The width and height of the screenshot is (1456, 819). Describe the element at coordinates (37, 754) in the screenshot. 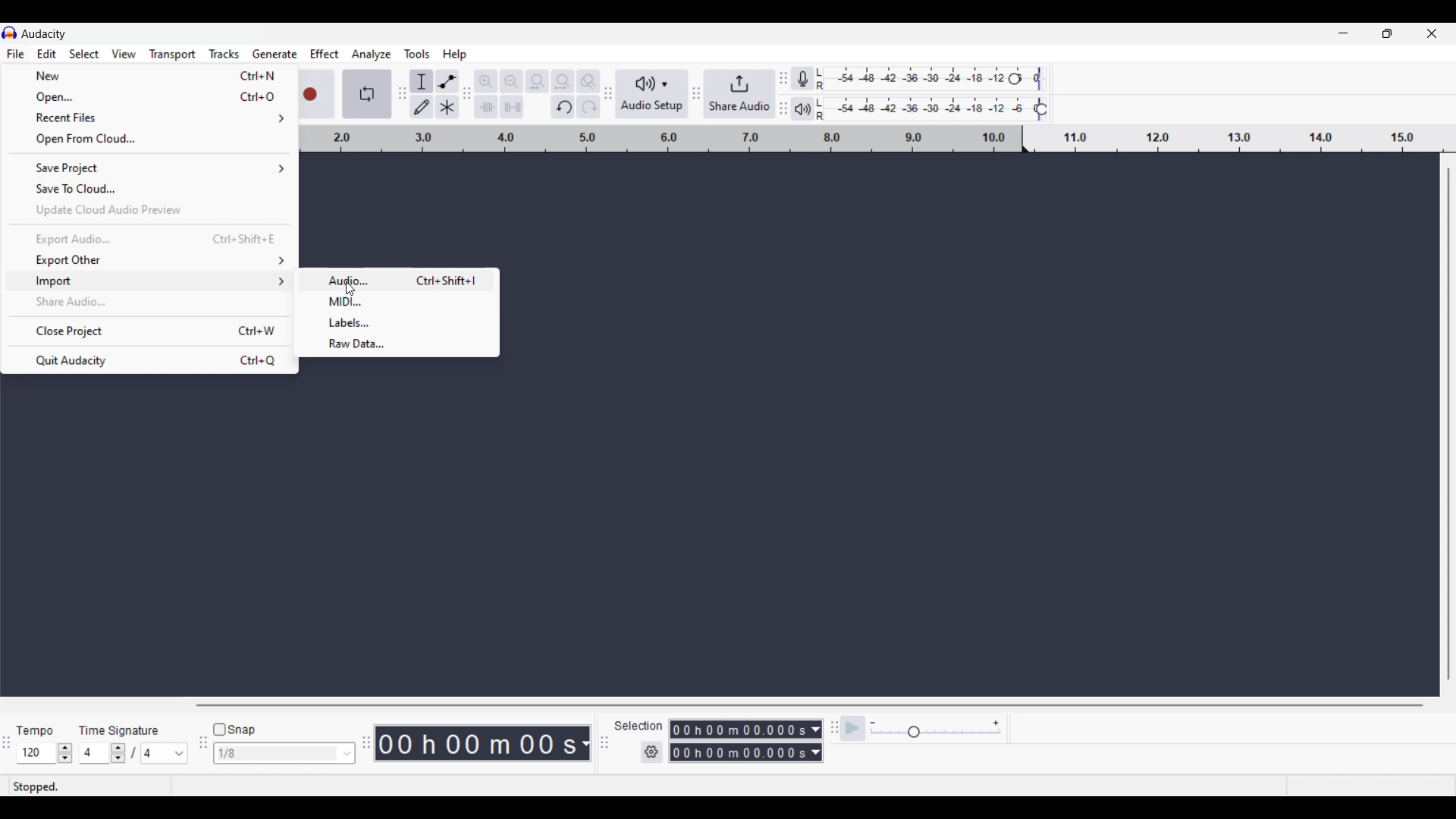

I see `Type in tempo` at that location.